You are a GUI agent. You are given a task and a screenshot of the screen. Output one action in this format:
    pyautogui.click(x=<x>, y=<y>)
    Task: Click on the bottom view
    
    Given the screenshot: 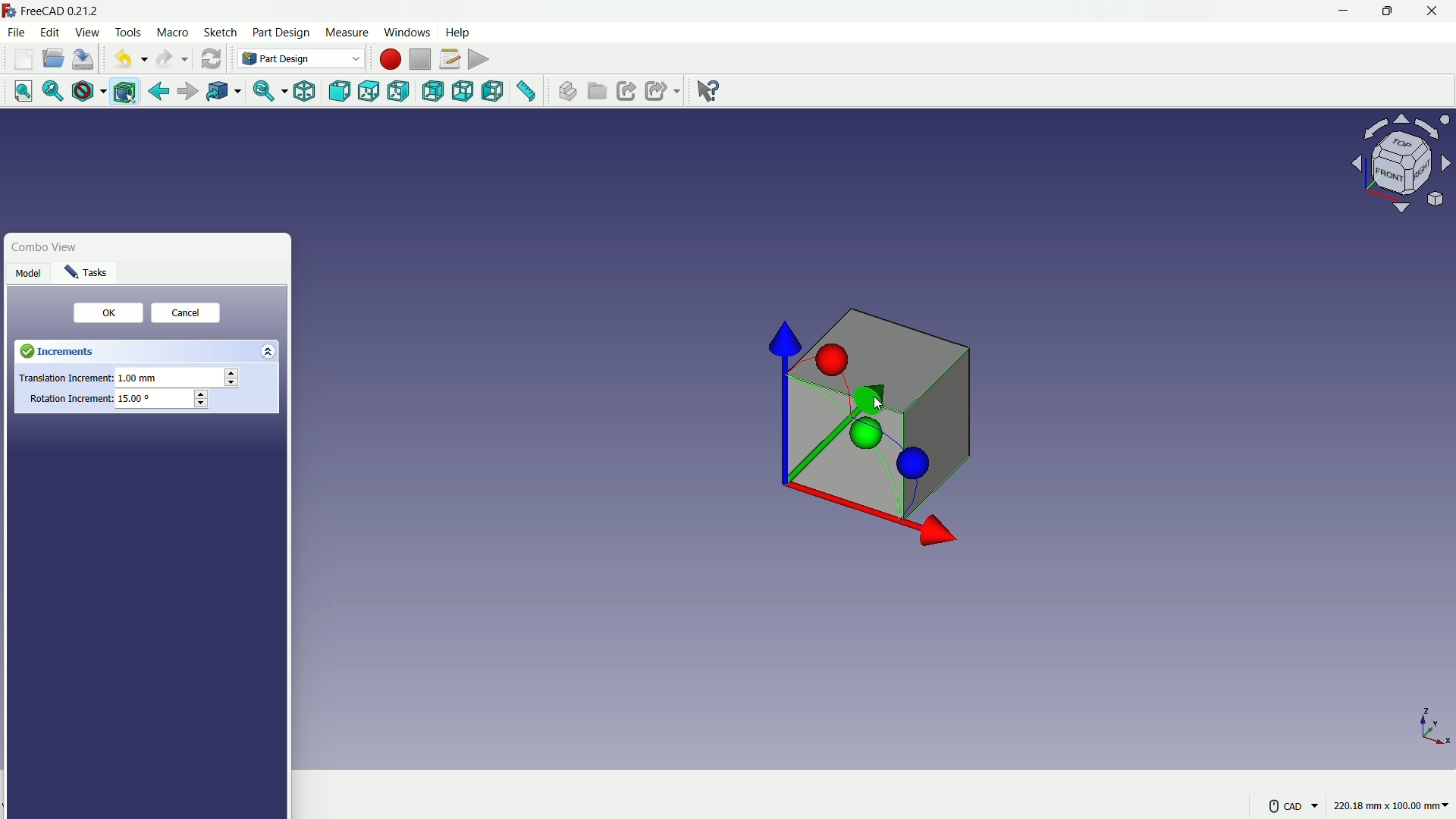 What is the action you would take?
    pyautogui.click(x=465, y=92)
    